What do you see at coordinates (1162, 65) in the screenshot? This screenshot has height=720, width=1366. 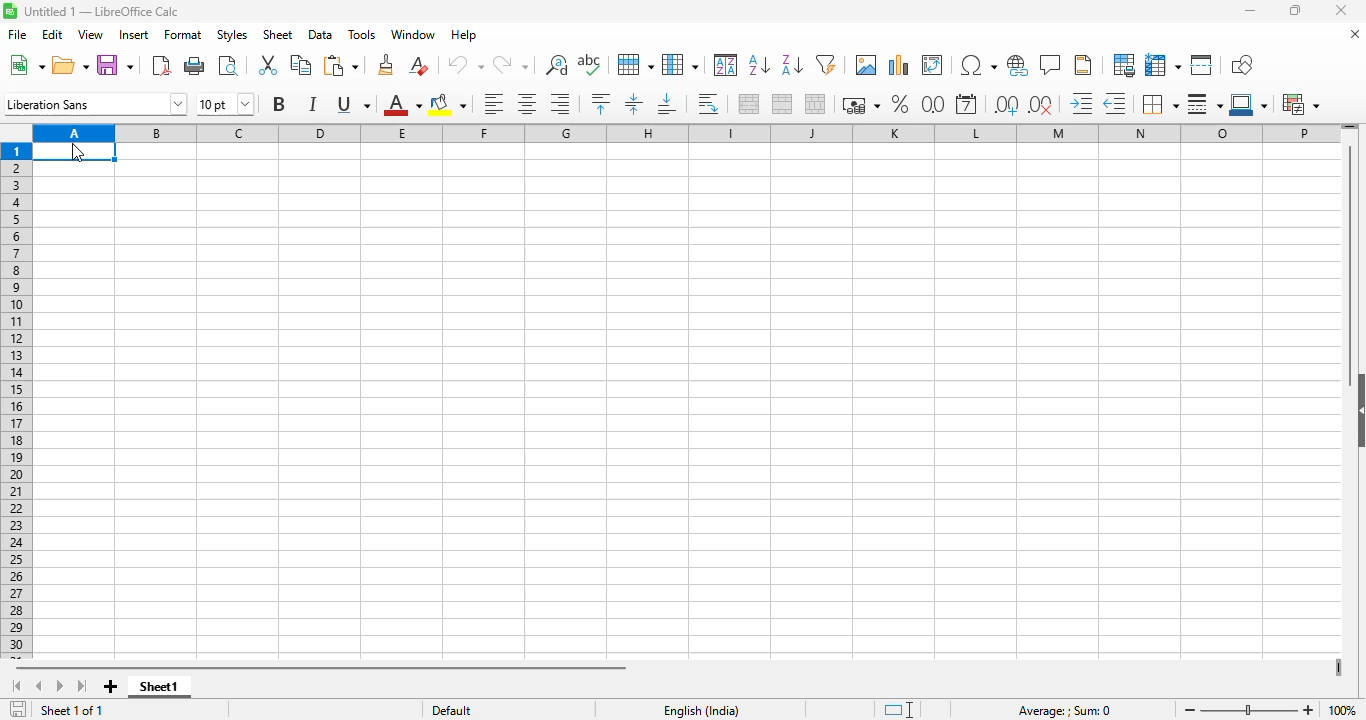 I see `freeze rows and columns` at bounding box center [1162, 65].